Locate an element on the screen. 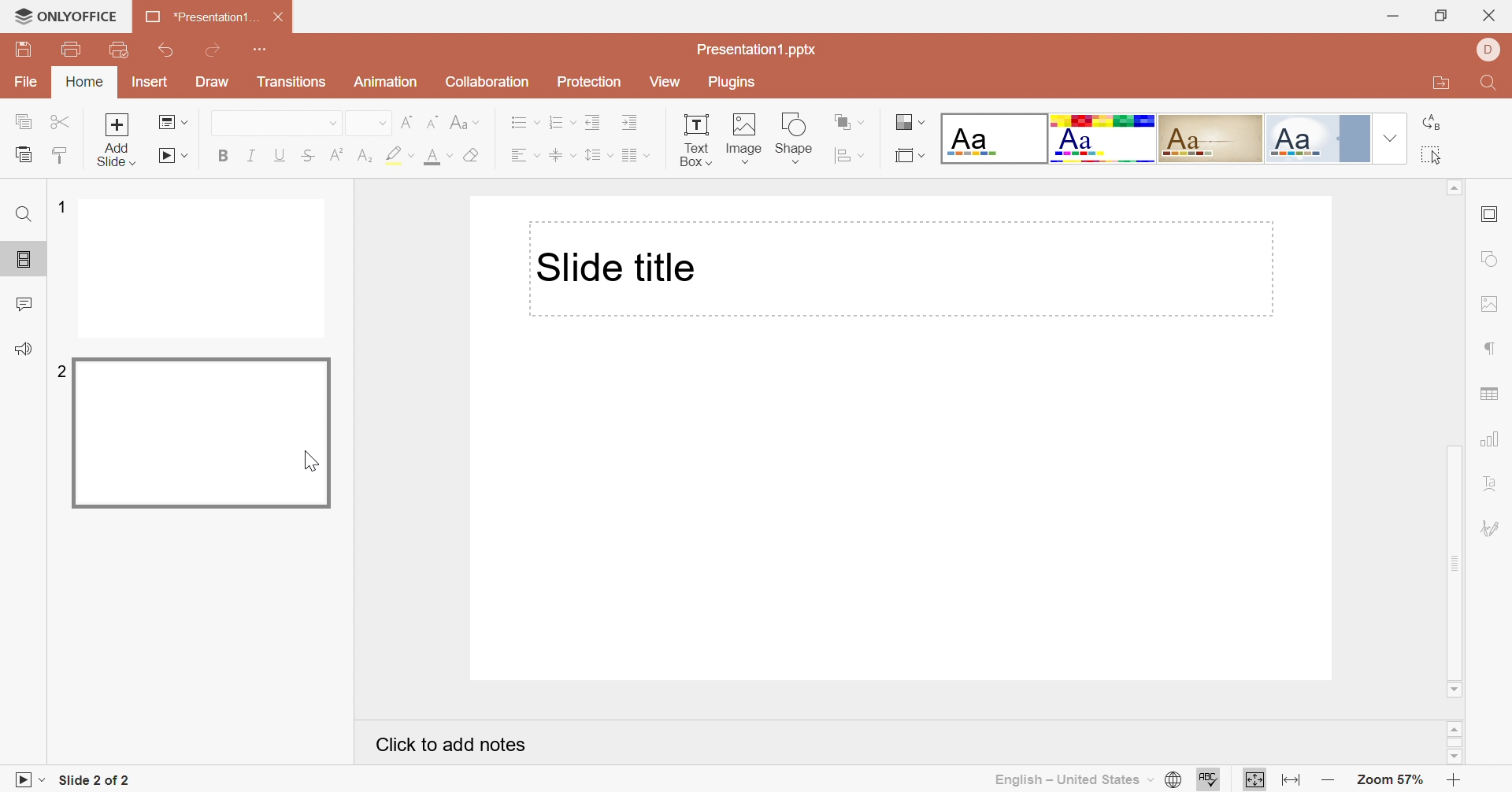 This screenshot has width=1512, height=792. 2 is located at coordinates (61, 371).